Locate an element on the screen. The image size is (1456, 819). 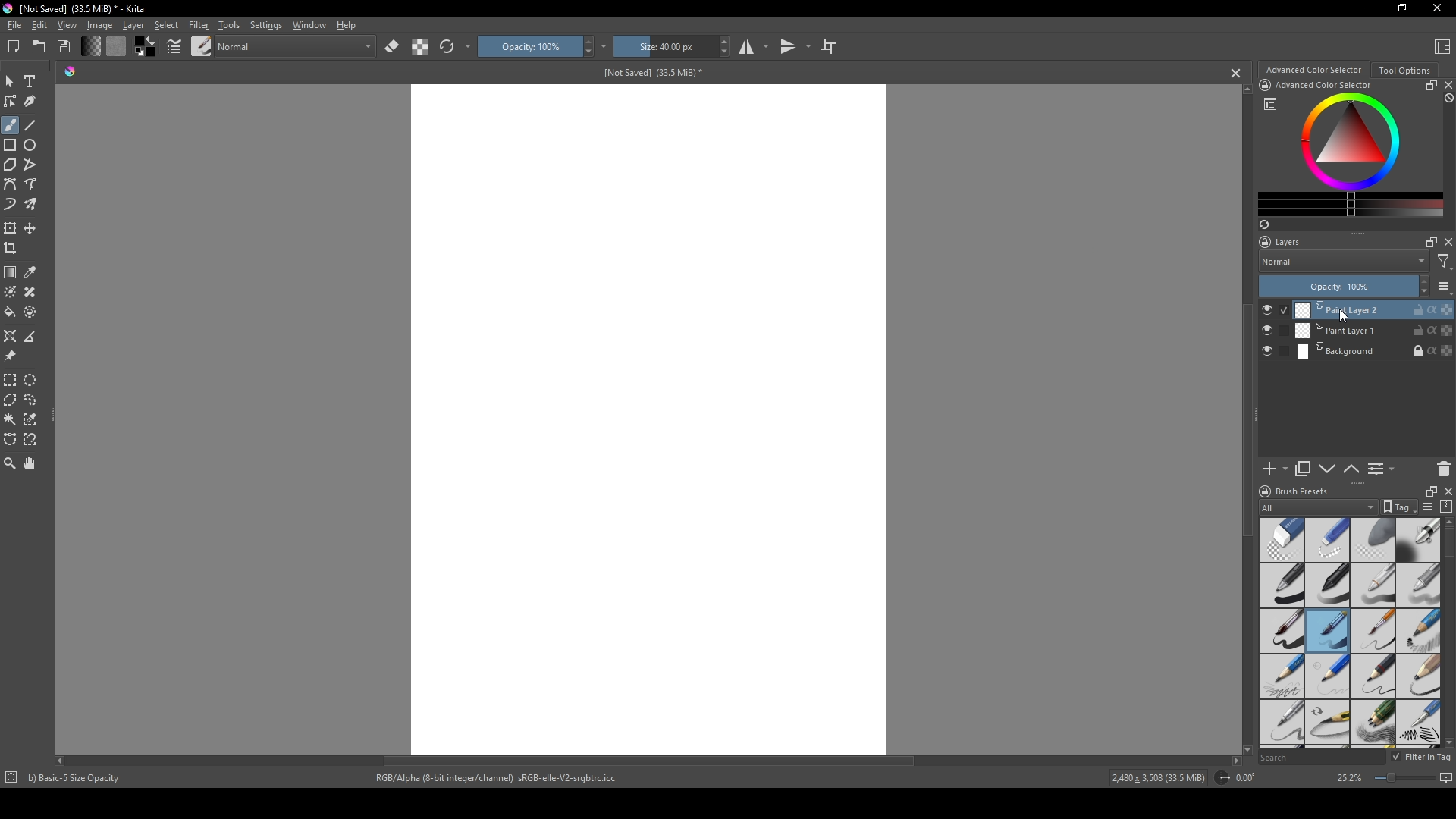
up or down is located at coordinates (1352, 469).